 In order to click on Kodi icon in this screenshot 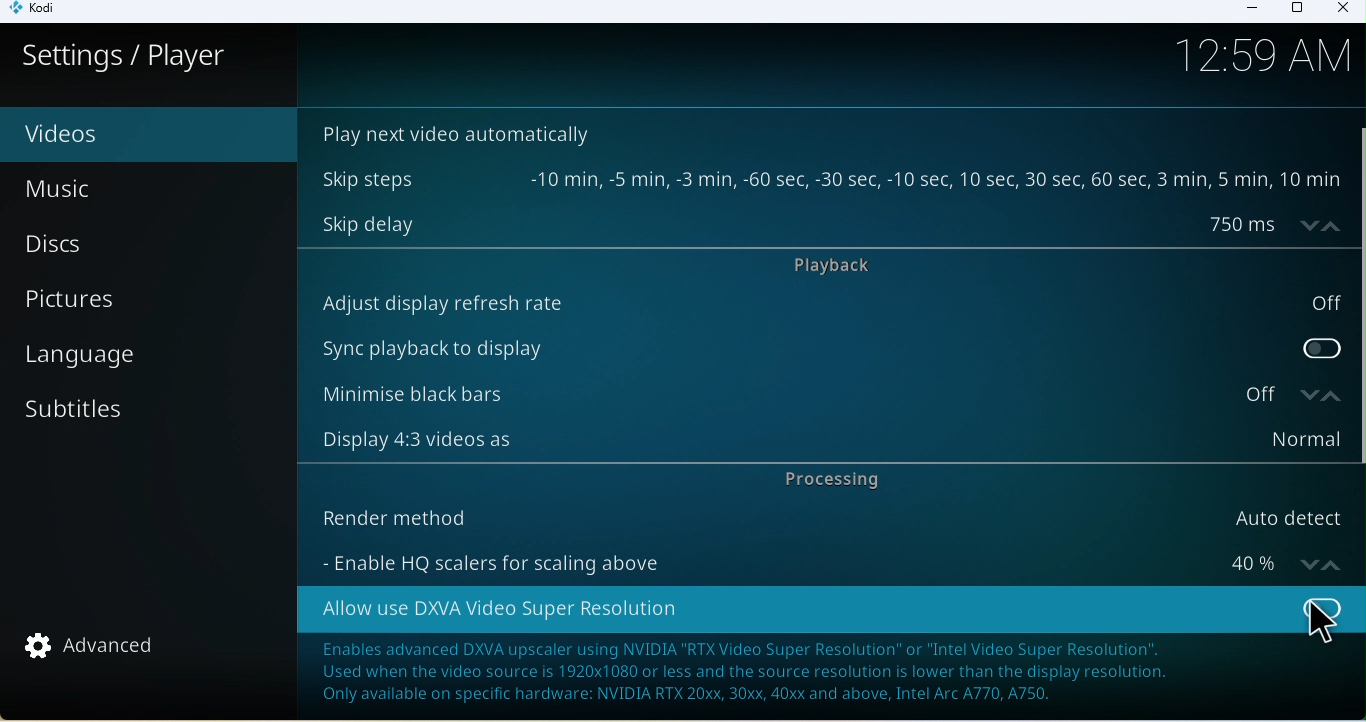, I will do `click(41, 12)`.